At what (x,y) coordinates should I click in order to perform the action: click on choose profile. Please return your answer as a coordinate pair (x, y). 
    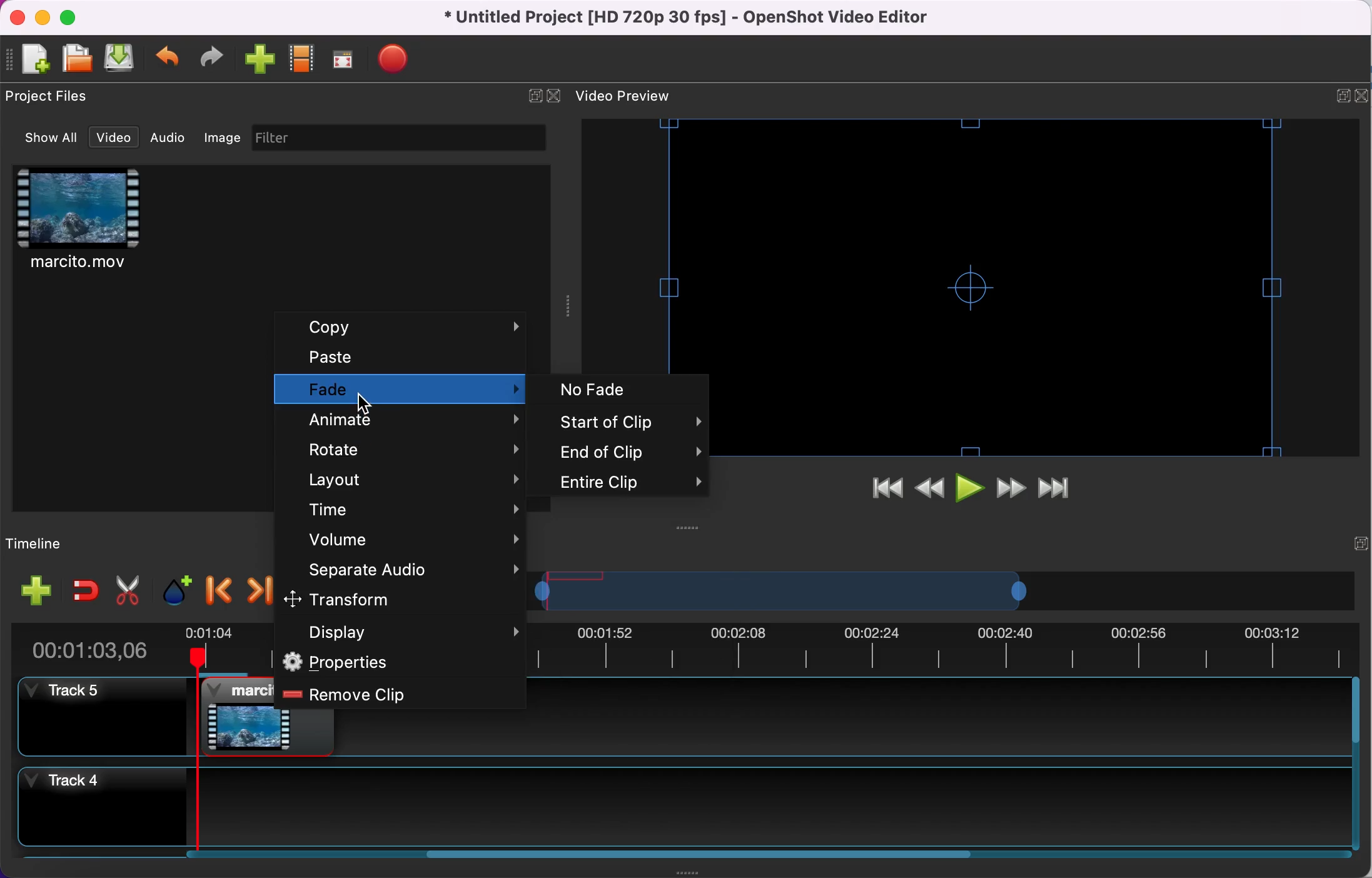
    Looking at the image, I should click on (302, 60).